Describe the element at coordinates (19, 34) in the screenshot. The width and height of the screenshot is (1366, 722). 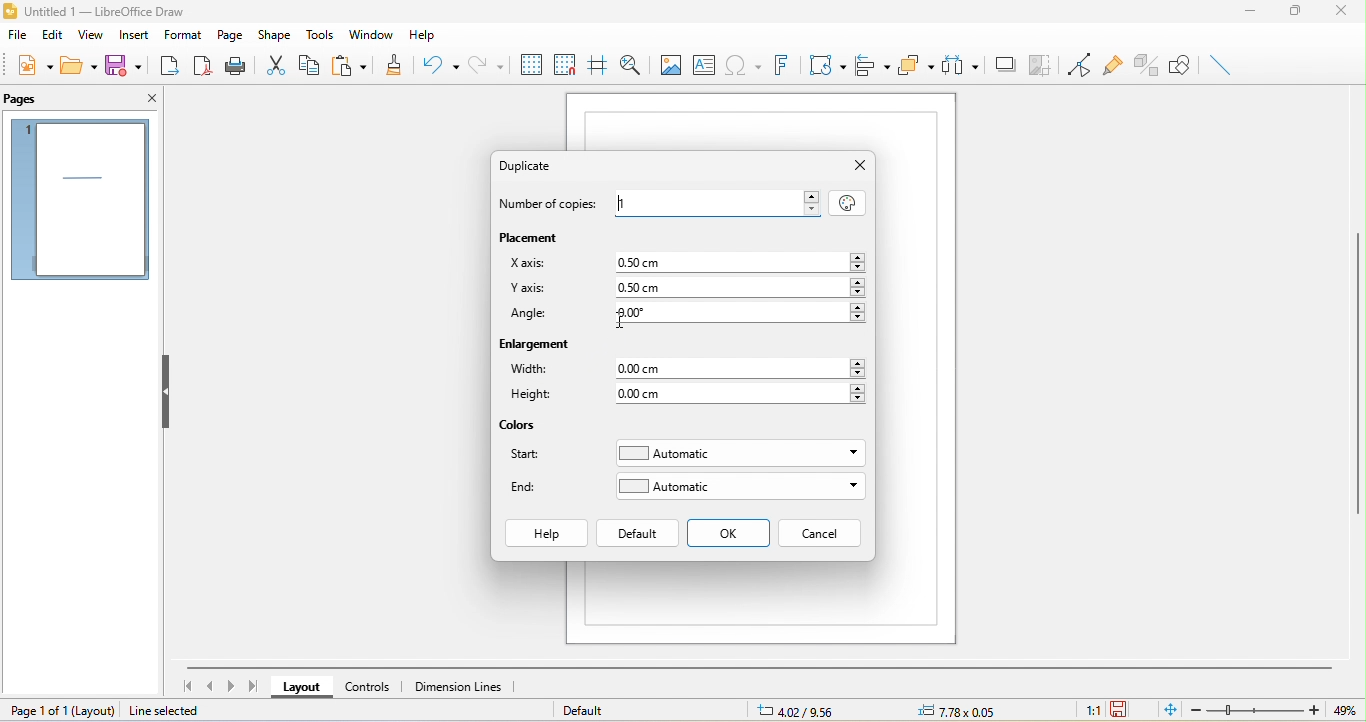
I see `file` at that location.